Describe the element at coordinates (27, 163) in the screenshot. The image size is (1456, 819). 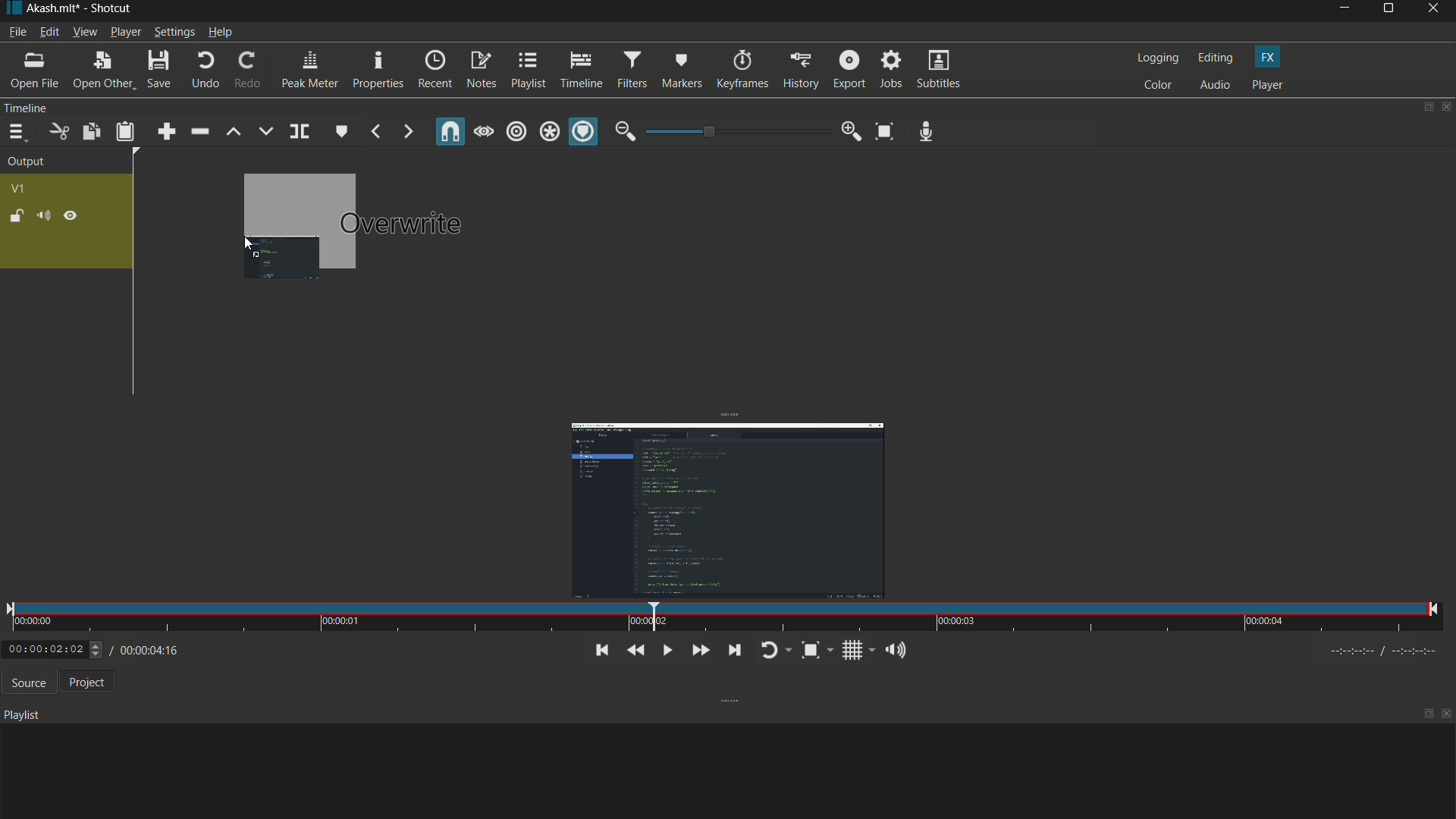
I see `output` at that location.